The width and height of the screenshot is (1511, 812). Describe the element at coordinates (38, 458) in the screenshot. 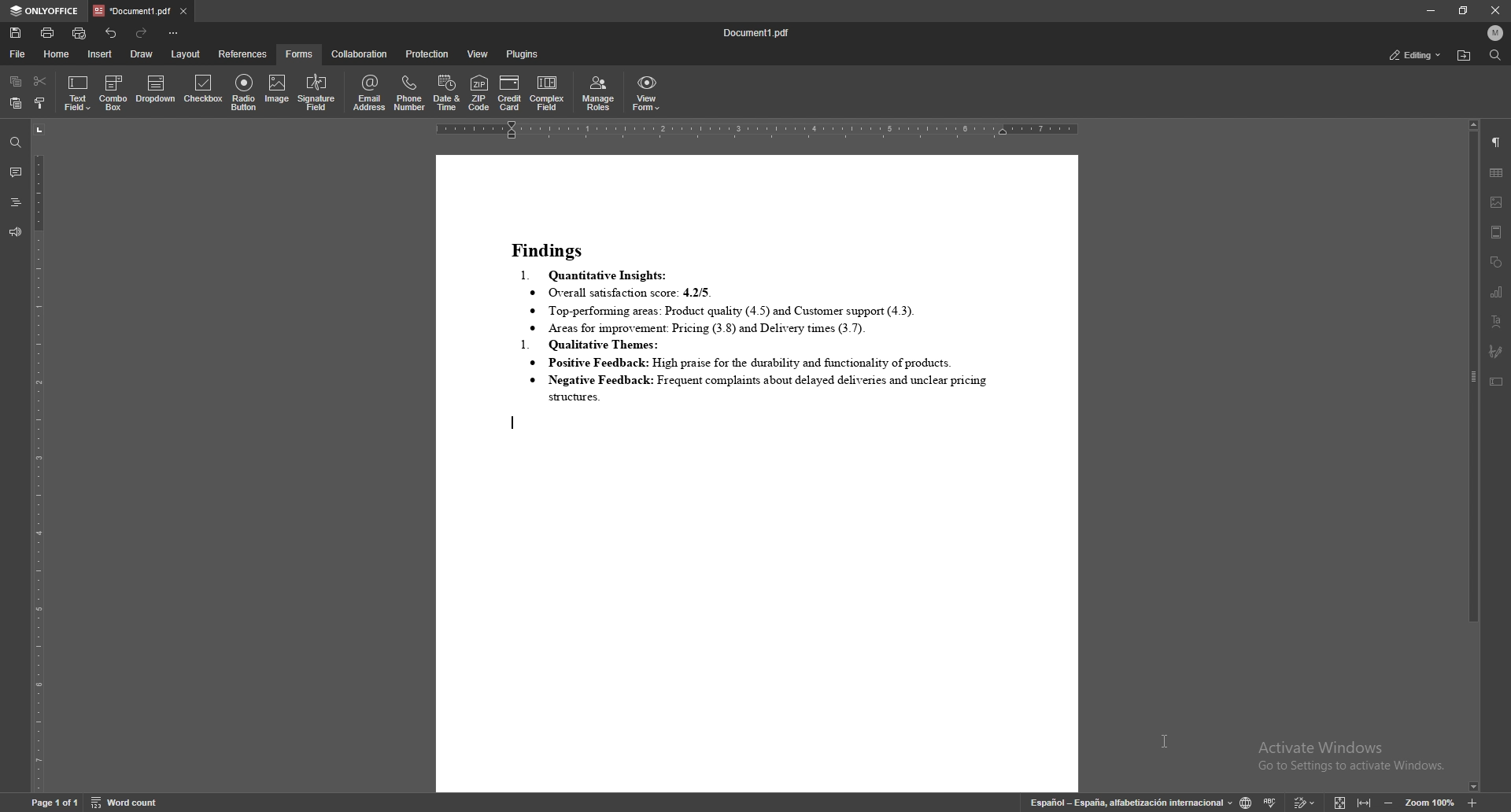

I see `vertical scale` at that location.